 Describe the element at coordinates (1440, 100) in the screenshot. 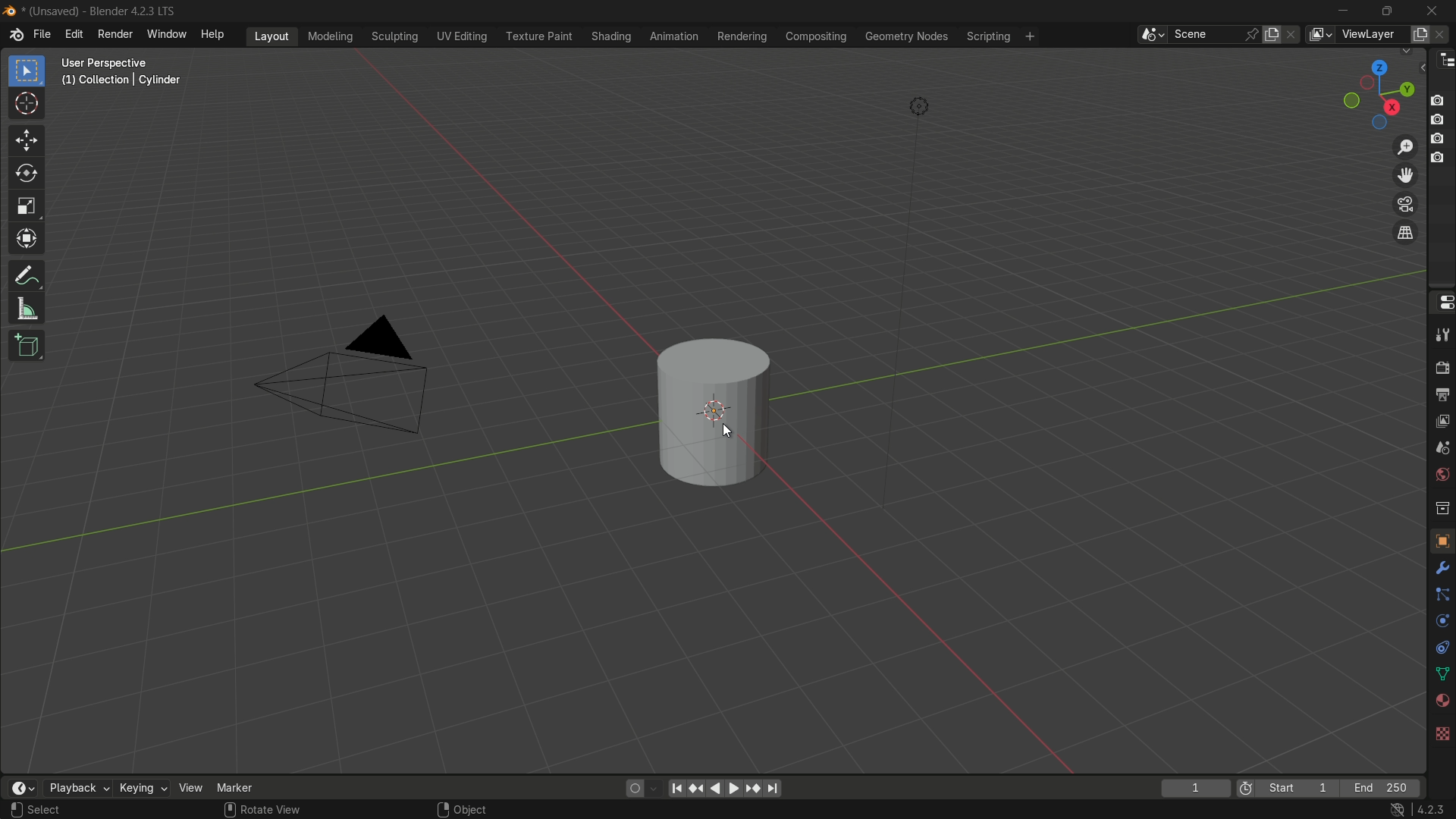

I see `layer 1` at that location.